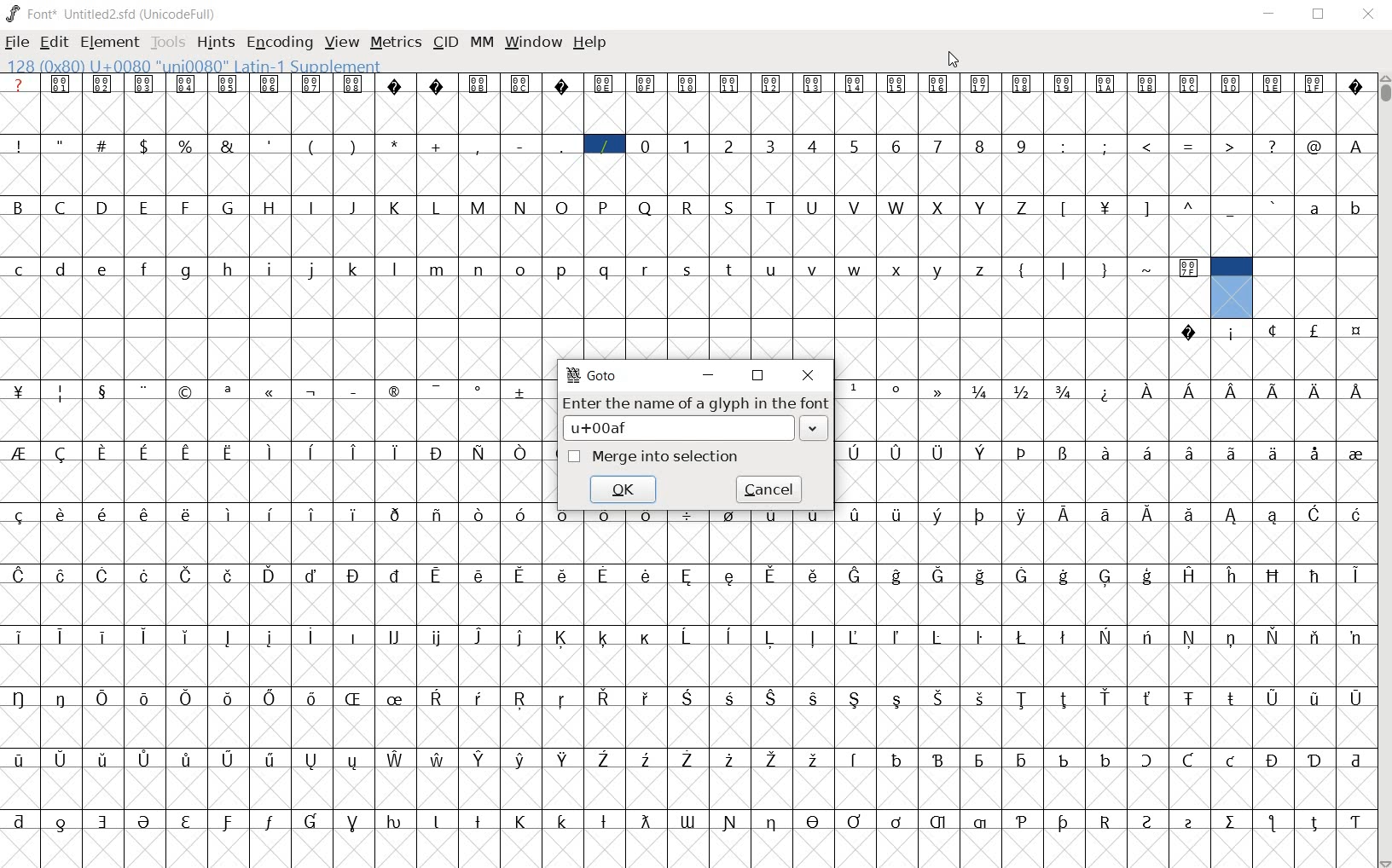 The width and height of the screenshot is (1392, 868). I want to click on Symbol, so click(313, 515).